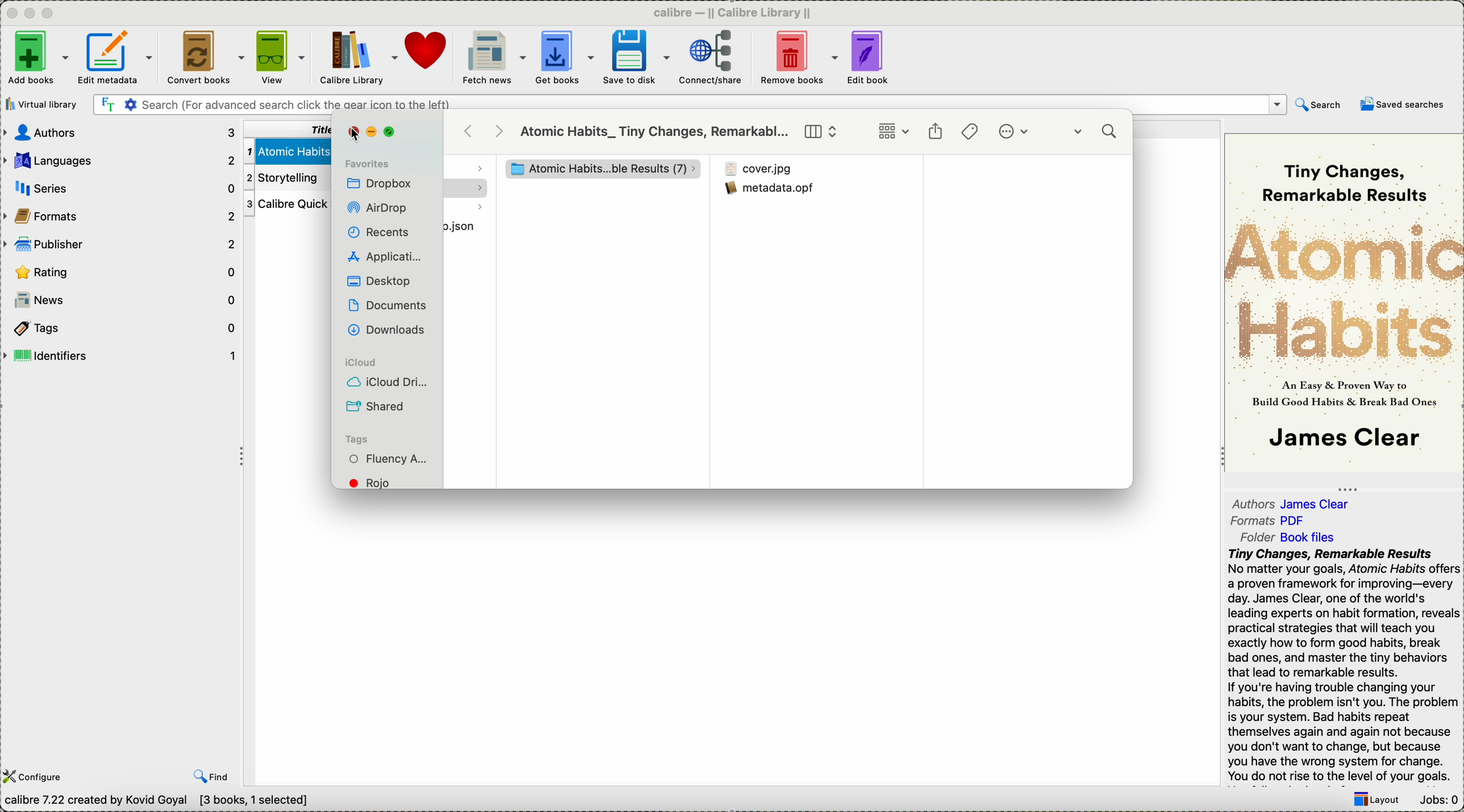 The image size is (1464, 812). I want to click on atomic habits folder, so click(812, 170).